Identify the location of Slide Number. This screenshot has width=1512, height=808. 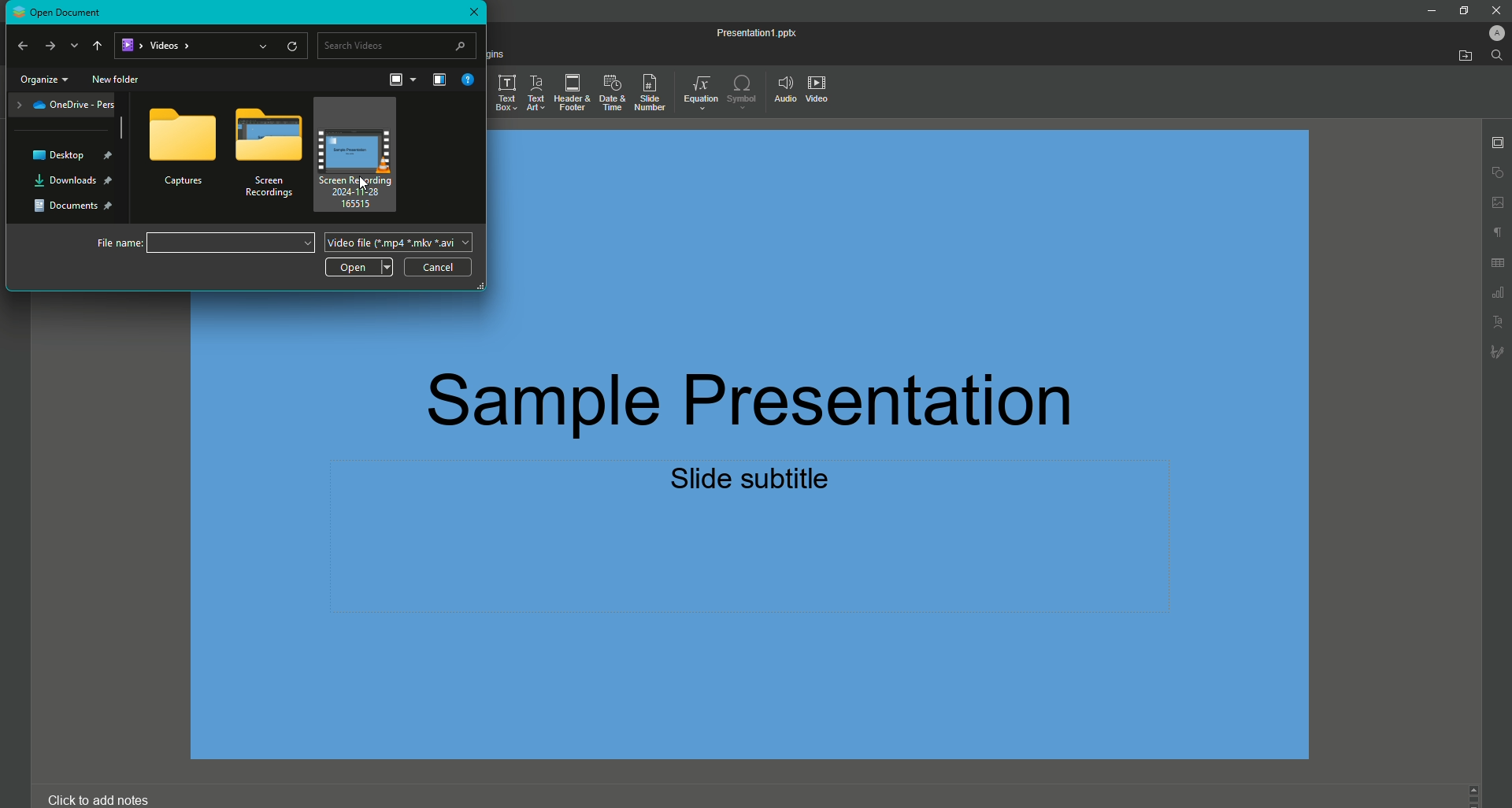
(648, 91).